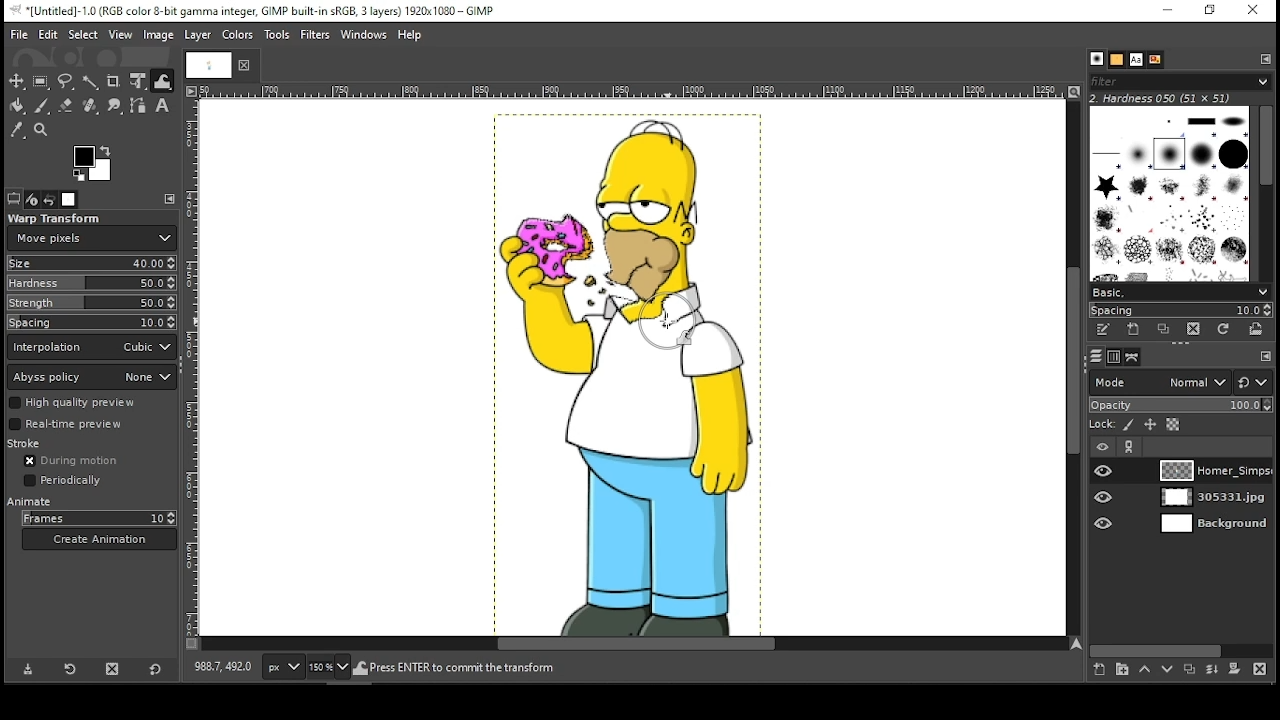  What do you see at coordinates (170, 199) in the screenshot?
I see `edit toolbar` at bounding box center [170, 199].